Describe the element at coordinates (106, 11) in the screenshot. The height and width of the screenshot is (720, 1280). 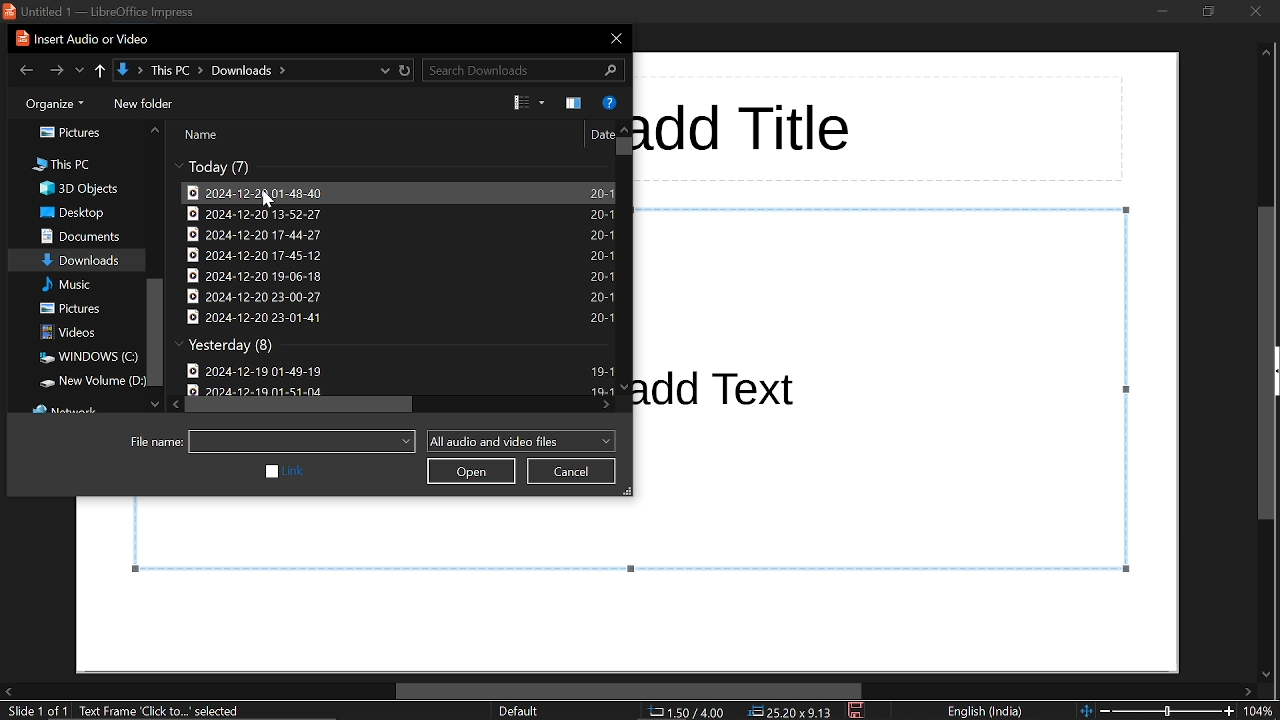
I see `| Untitled 1 — LibreOffice Impress` at that location.